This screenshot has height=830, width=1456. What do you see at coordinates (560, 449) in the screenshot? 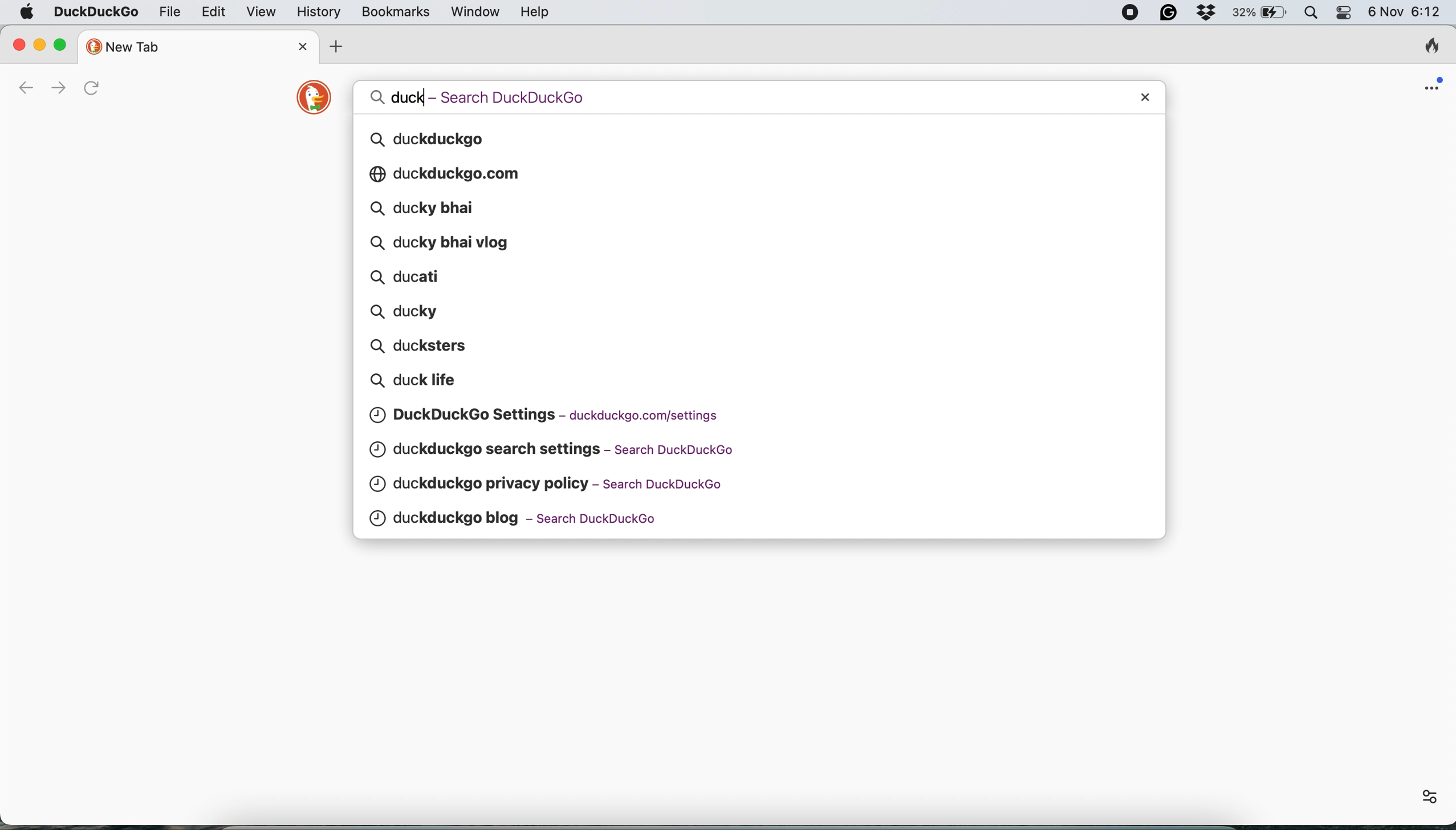
I see `duckduckgo search settings - Search DuckDuckGo` at bounding box center [560, 449].